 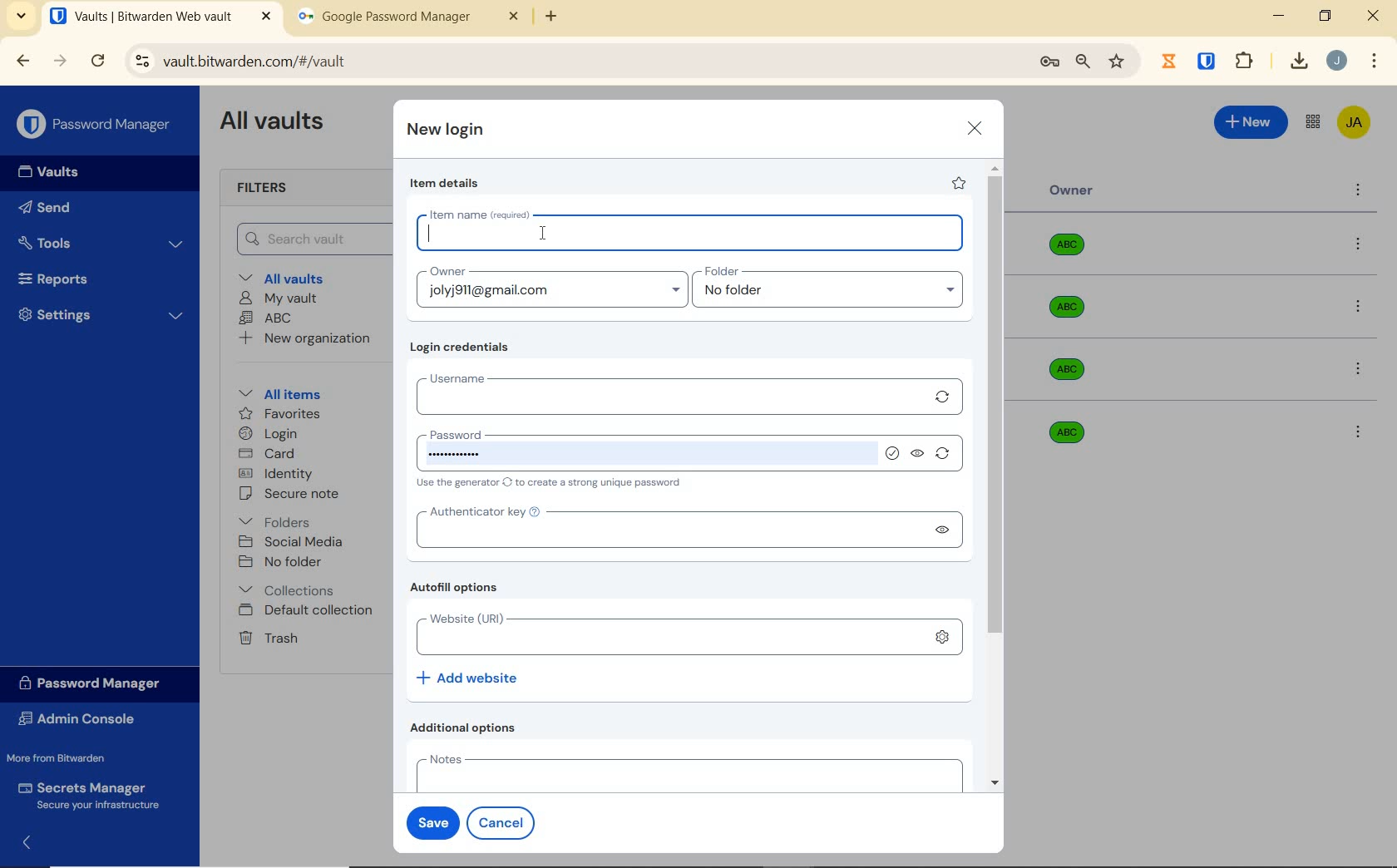 What do you see at coordinates (548, 234) in the screenshot?
I see `cursor` at bounding box center [548, 234].